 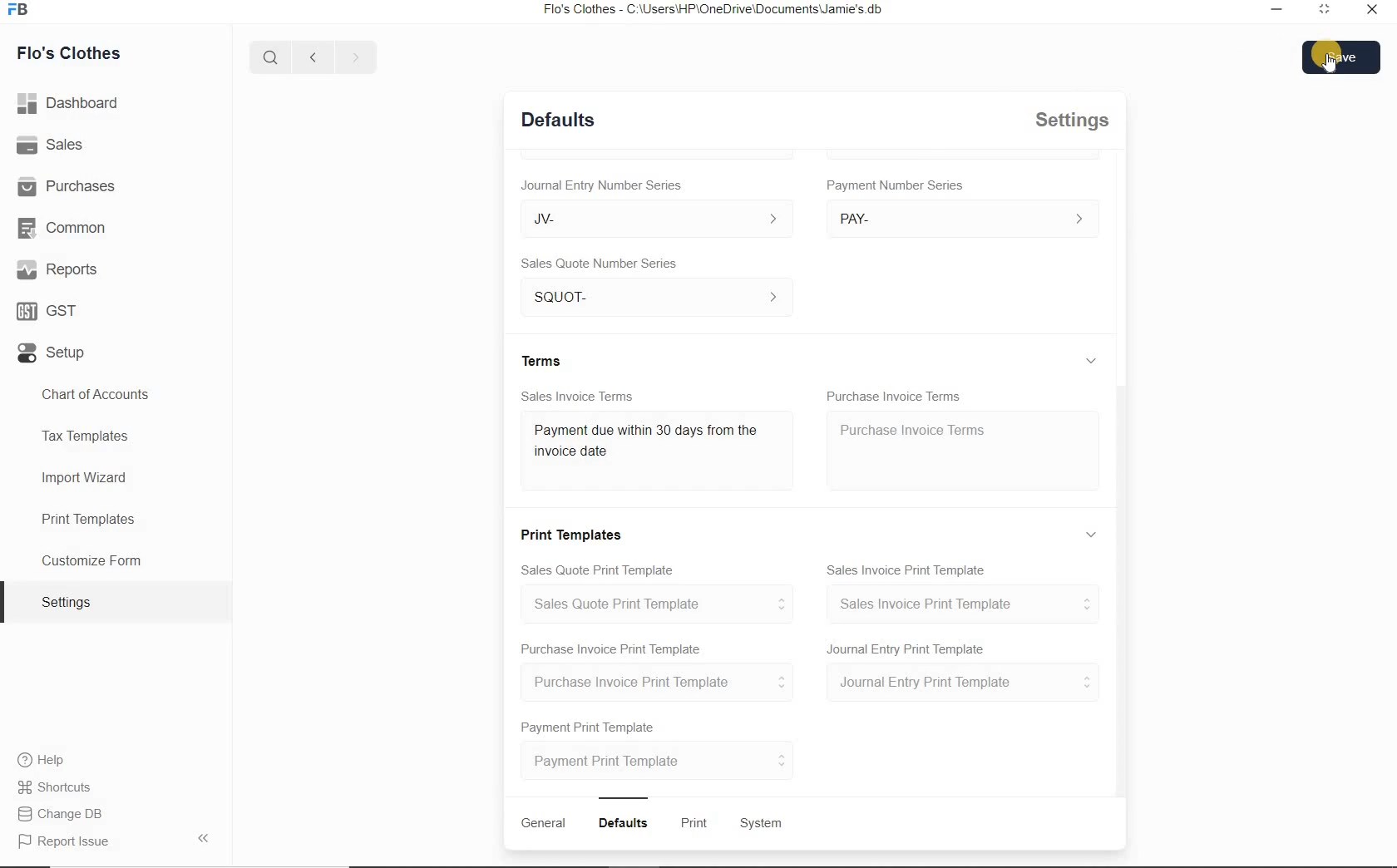 I want to click on Defaults, so click(x=623, y=823).